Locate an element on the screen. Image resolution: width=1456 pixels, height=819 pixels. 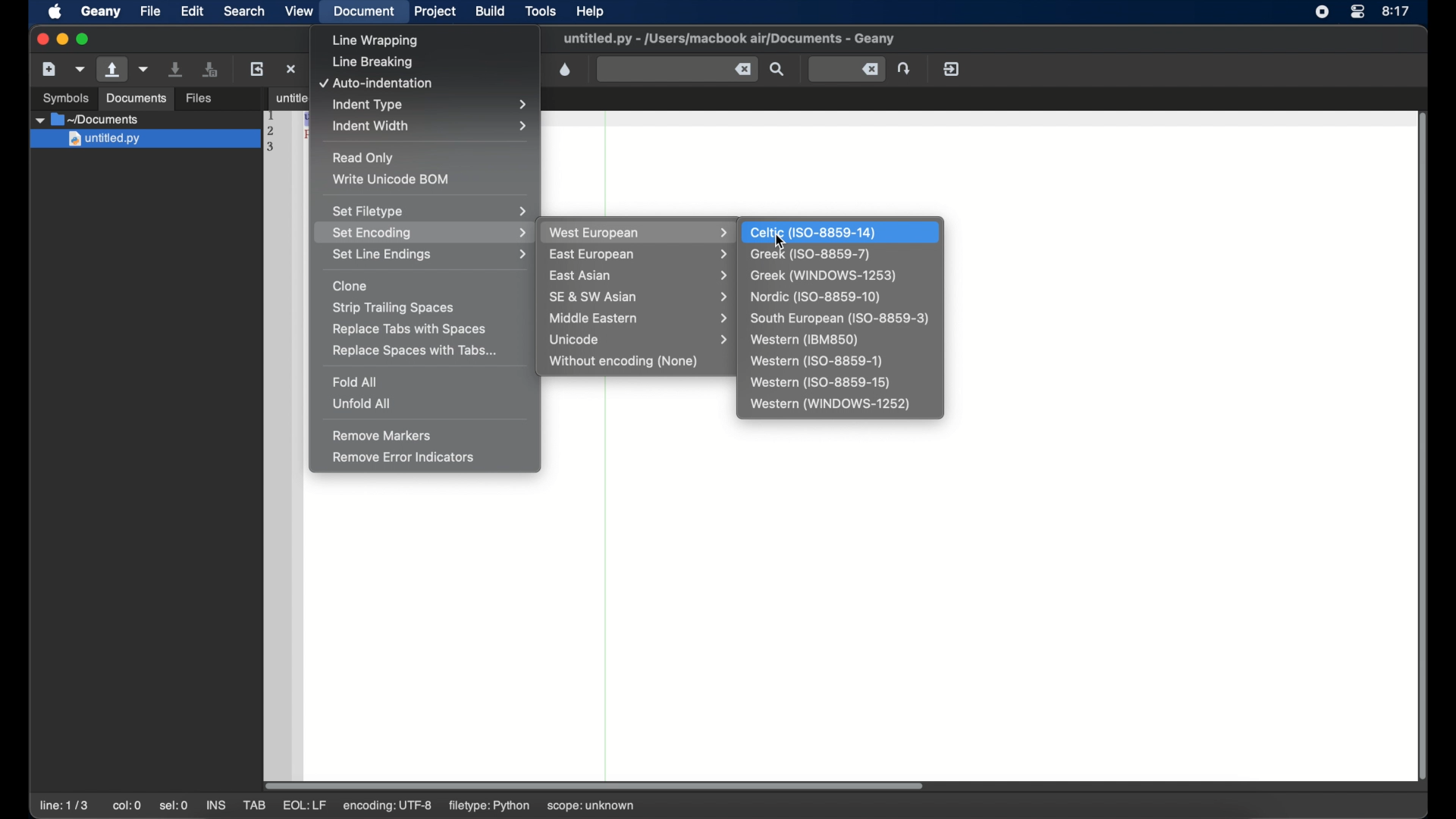
line: 1/3 is located at coordinates (64, 805).